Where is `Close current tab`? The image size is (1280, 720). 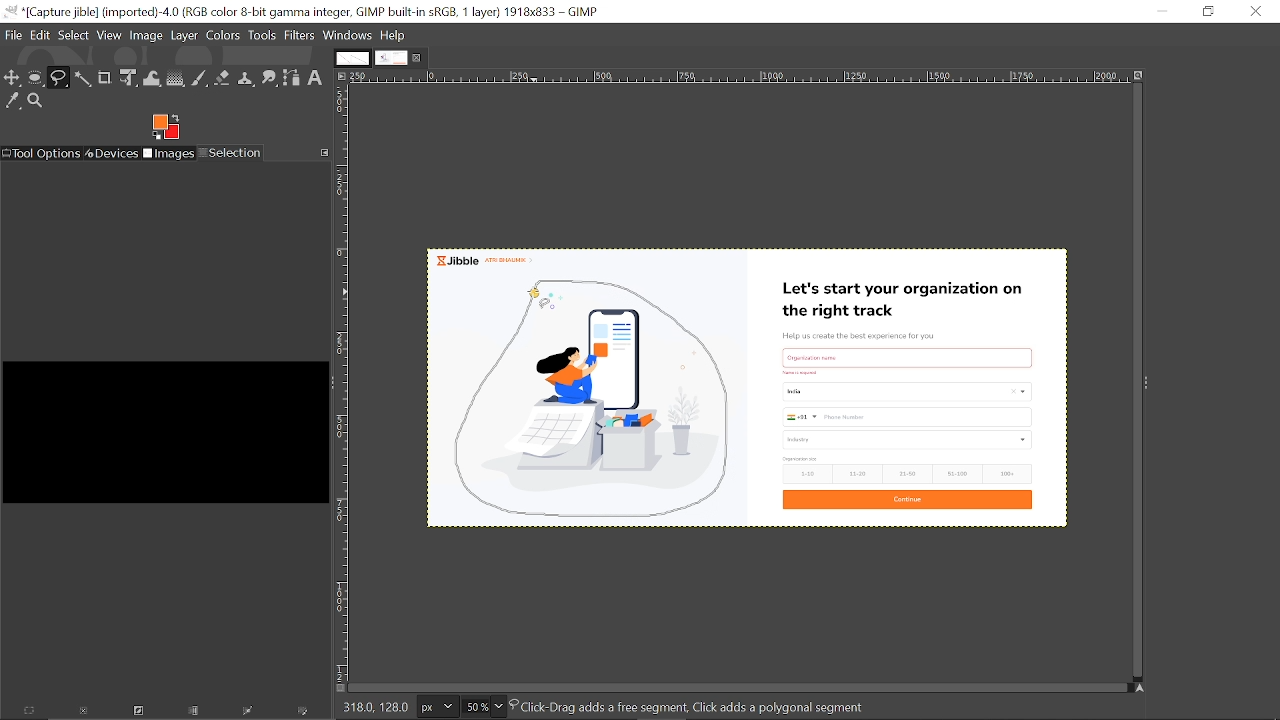 Close current tab is located at coordinates (419, 61).